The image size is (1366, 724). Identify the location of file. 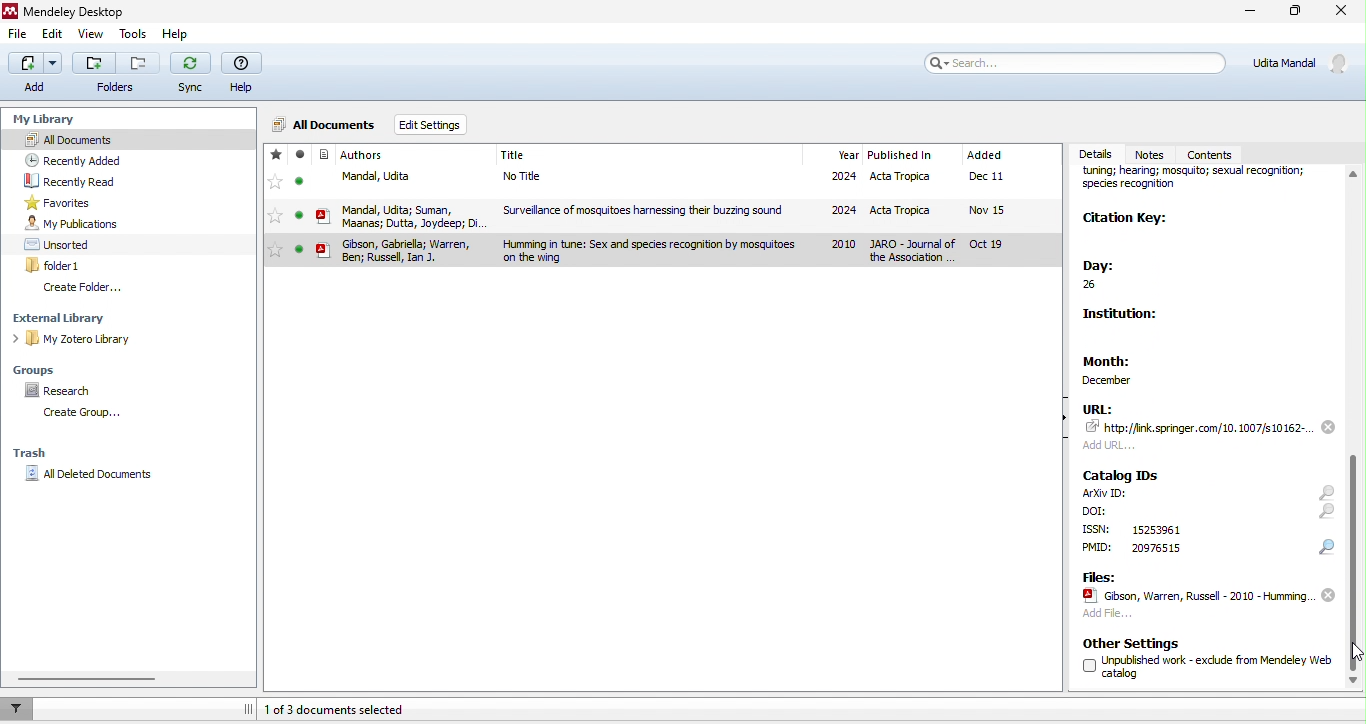
(18, 37).